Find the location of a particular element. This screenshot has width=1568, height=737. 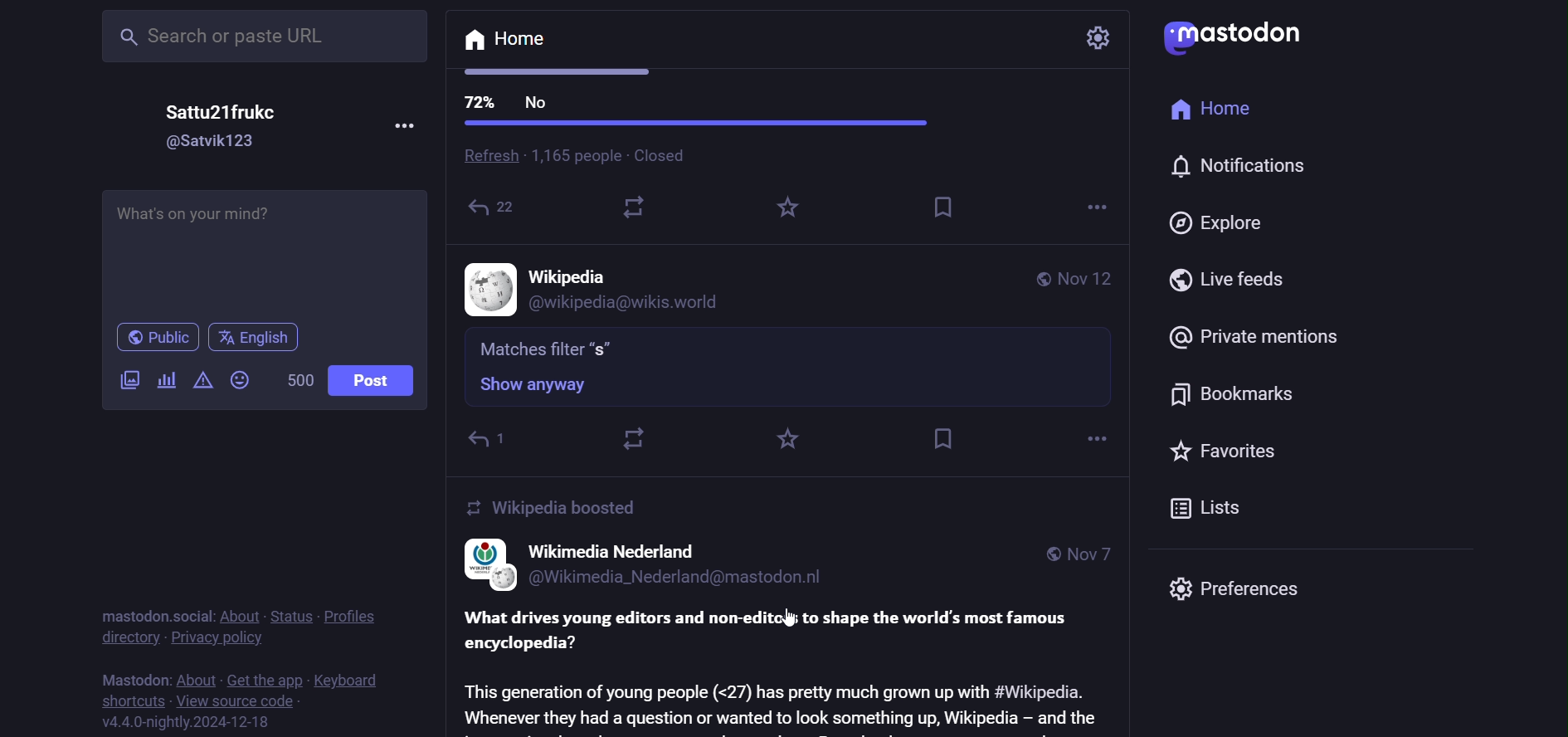

closed is located at coordinates (670, 156).